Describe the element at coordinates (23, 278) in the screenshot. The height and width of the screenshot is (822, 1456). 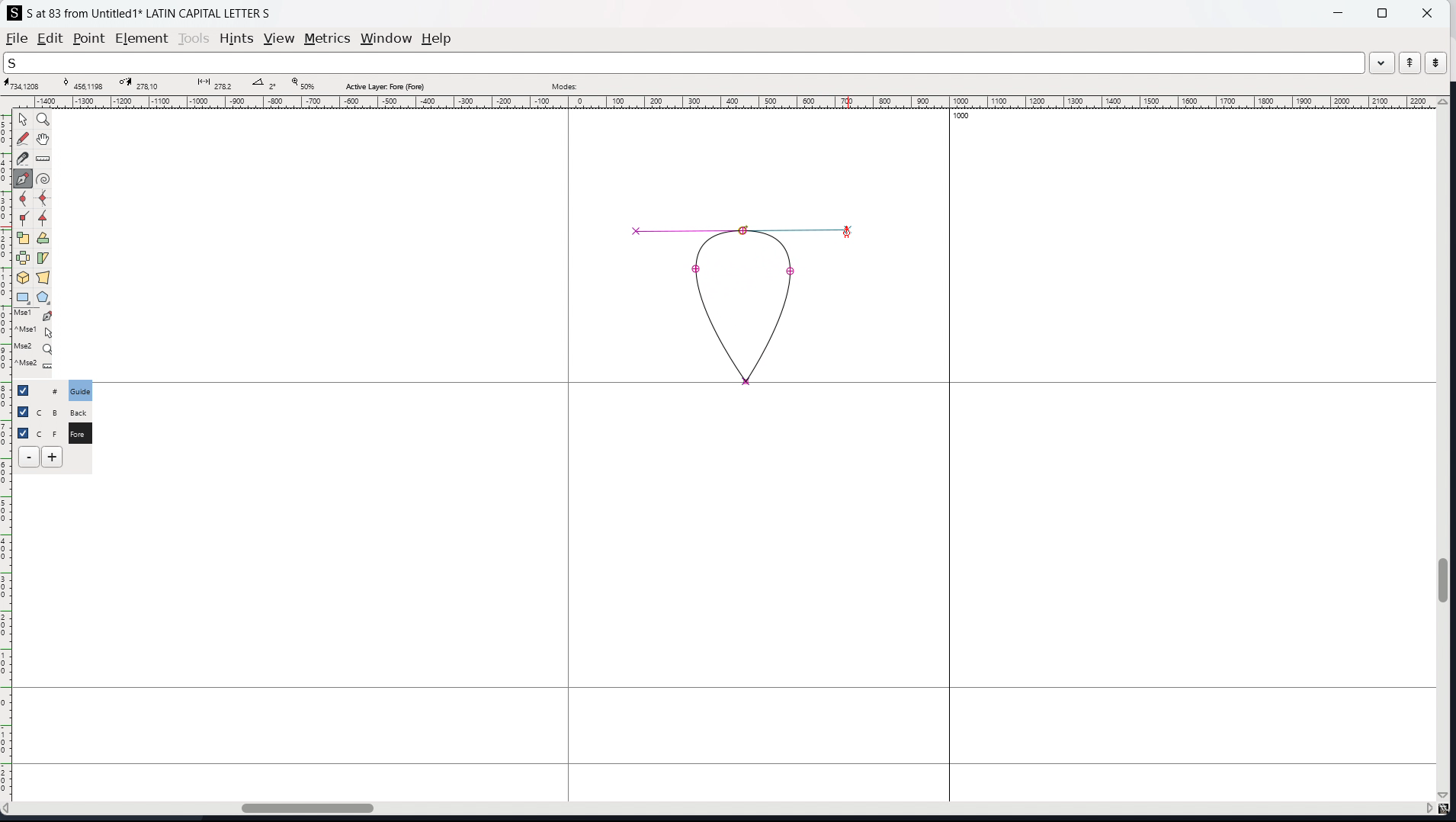
I see `rotate the selection in 3D and project back to plane ` at that location.